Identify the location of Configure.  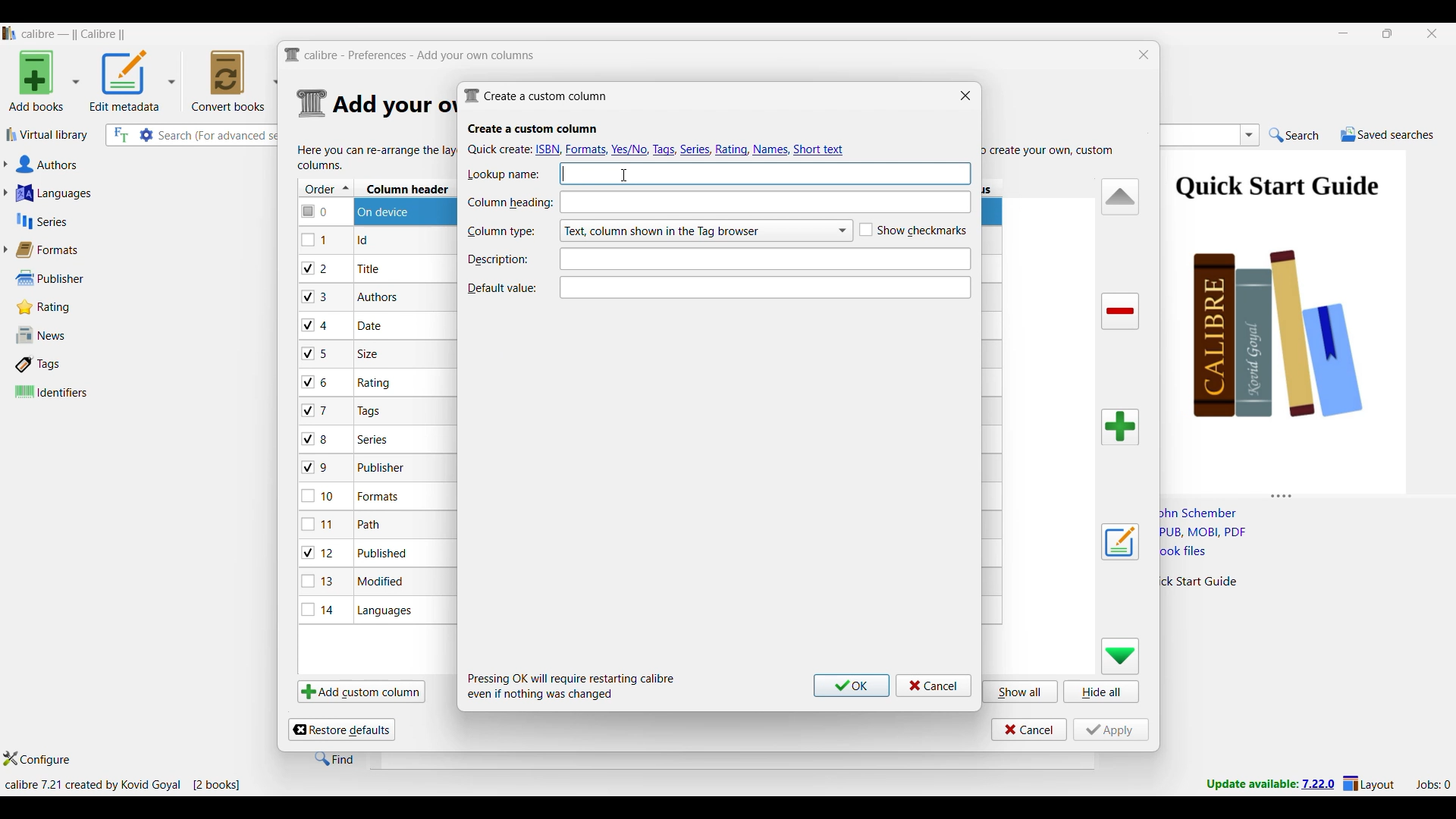
(37, 758).